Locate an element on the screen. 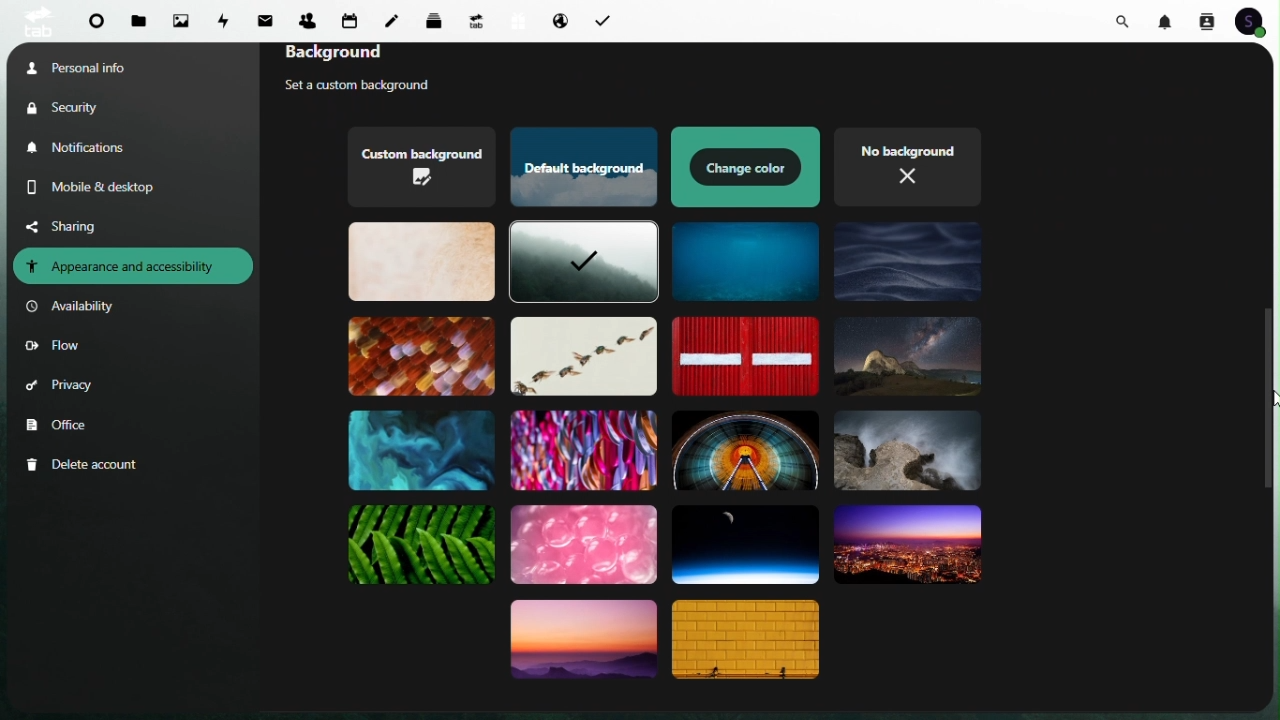  Mobile and desktop is located at coordinates (107, 187).